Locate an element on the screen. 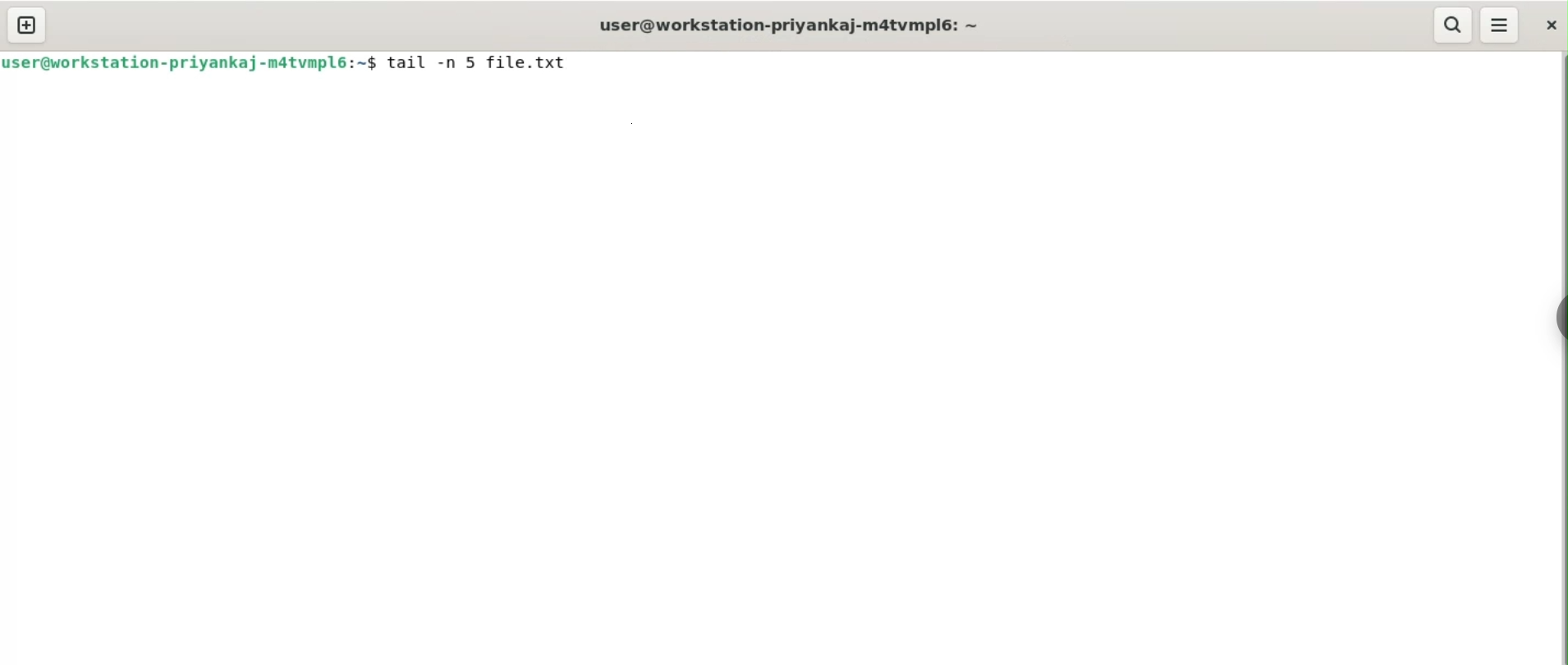 The width and height of the screenshot is (1568, 665). close is located at coordinates (1550, 26).